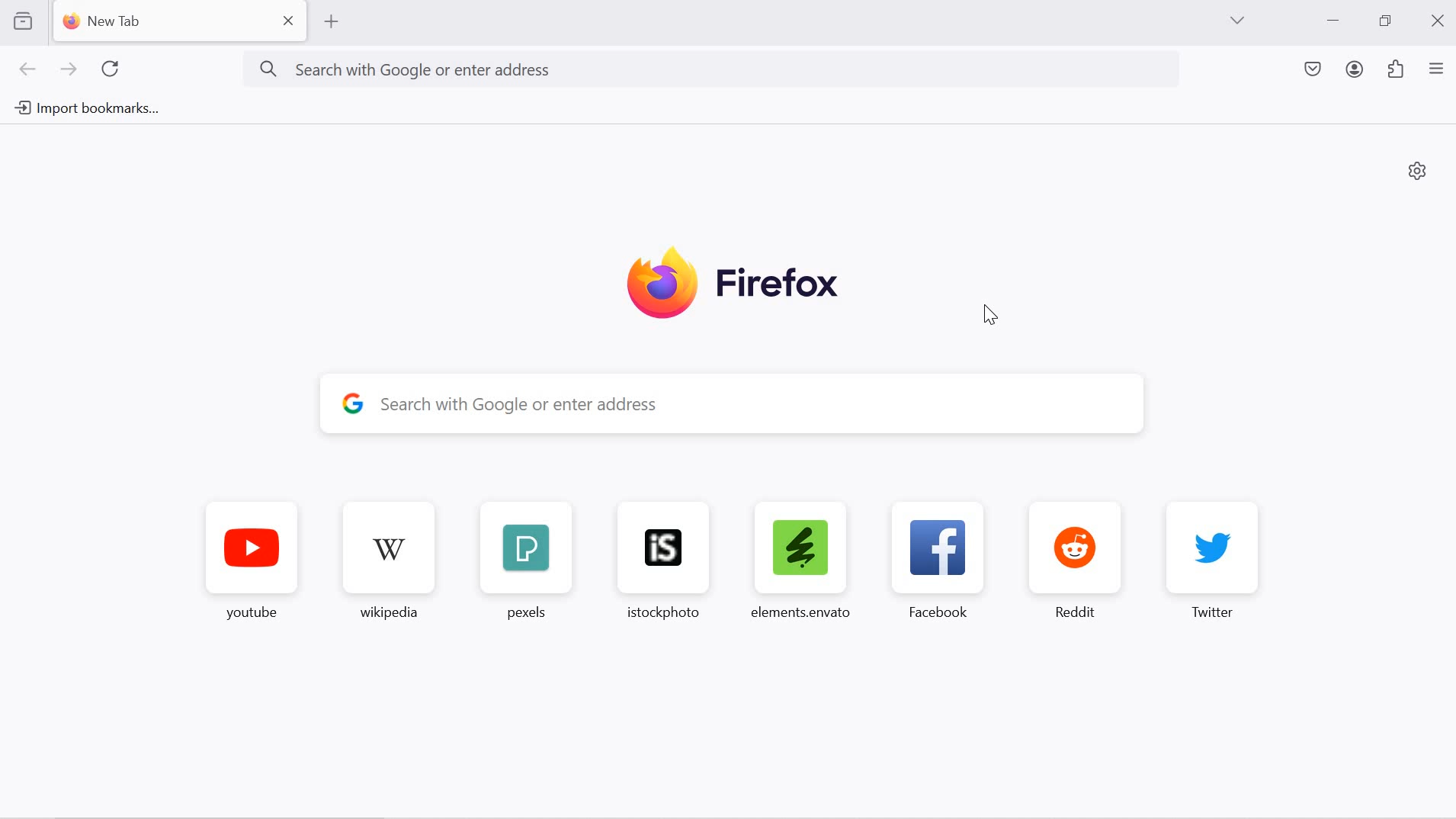 The image size is (1456, 819). What do you see at coordinates (116, 69) in the screenshot?
I see `RELOAD` at bounding box center [116, 69].